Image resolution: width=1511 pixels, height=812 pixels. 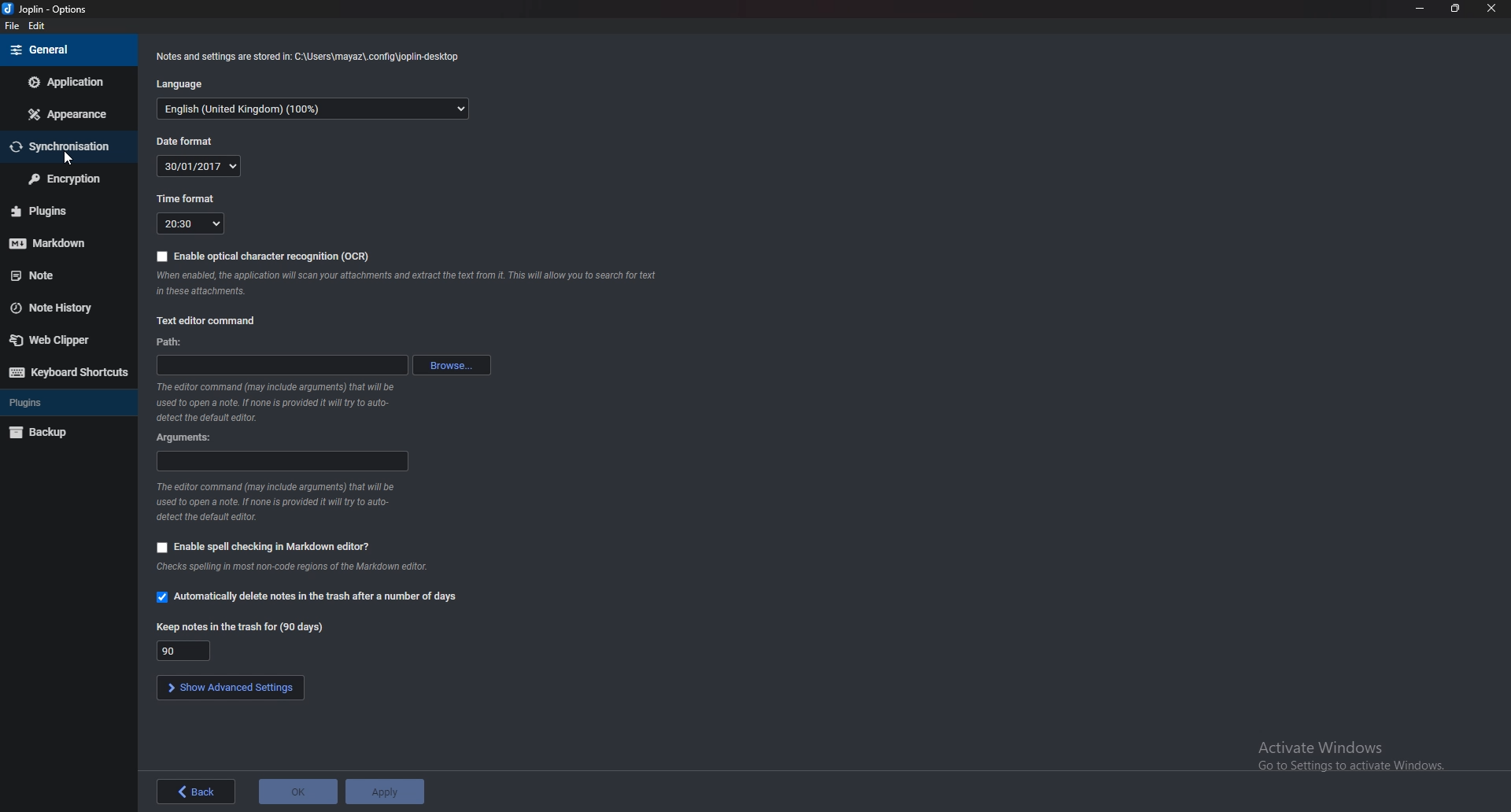 I want to click on info, so click(x=308, y=56).